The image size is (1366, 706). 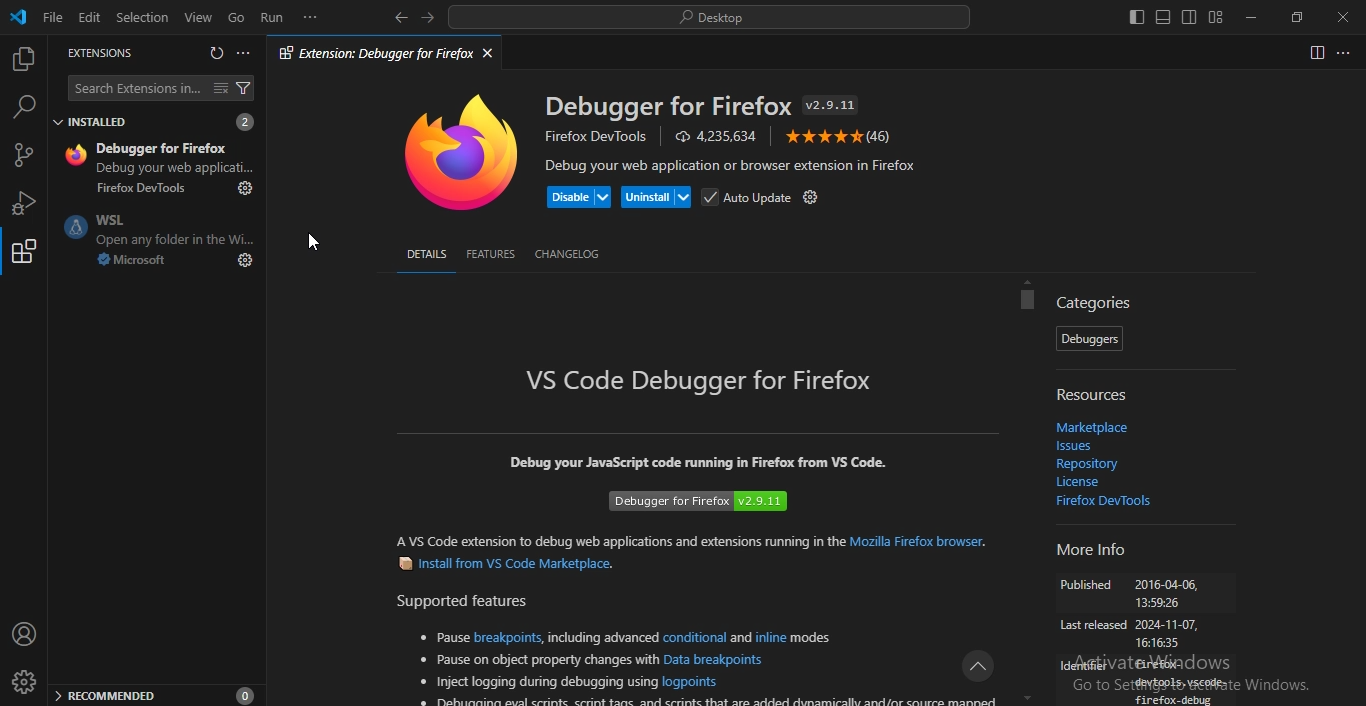 I want to click on debuggers, so click(x=1090, y=337).